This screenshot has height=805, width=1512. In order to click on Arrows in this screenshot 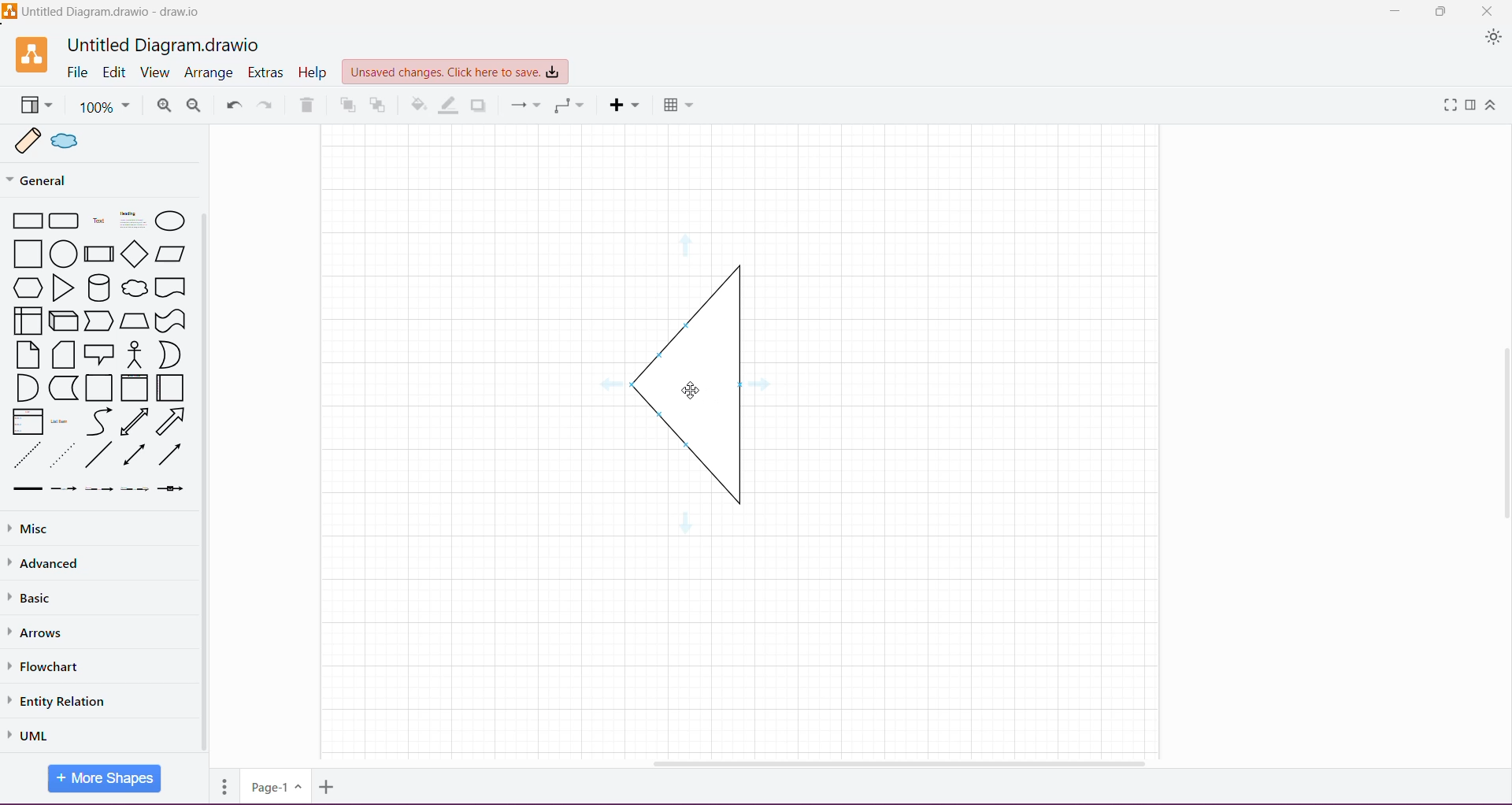, I will do `click(43, 633)`.